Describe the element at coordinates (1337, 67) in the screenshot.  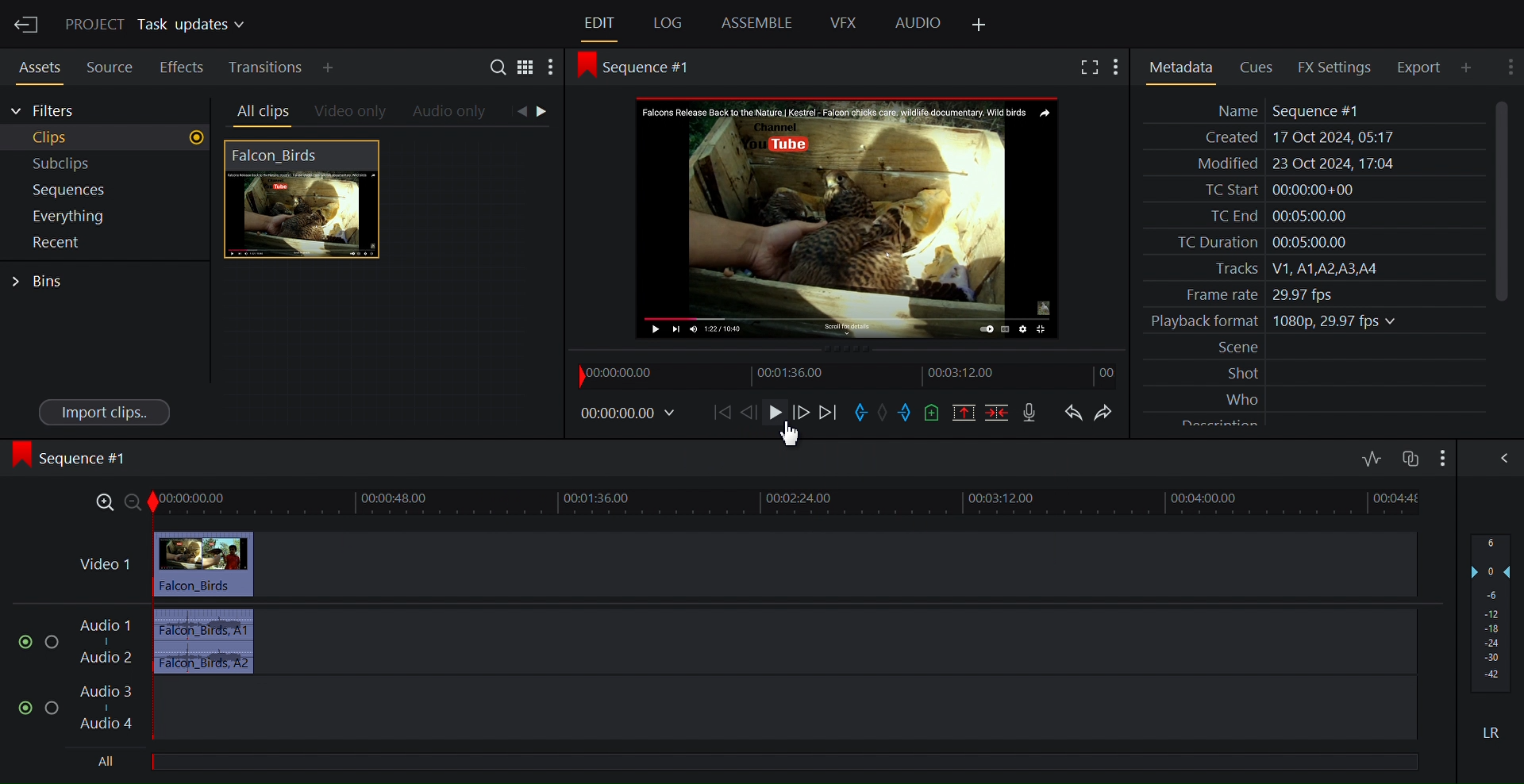
I see `FX Settings` at that location.